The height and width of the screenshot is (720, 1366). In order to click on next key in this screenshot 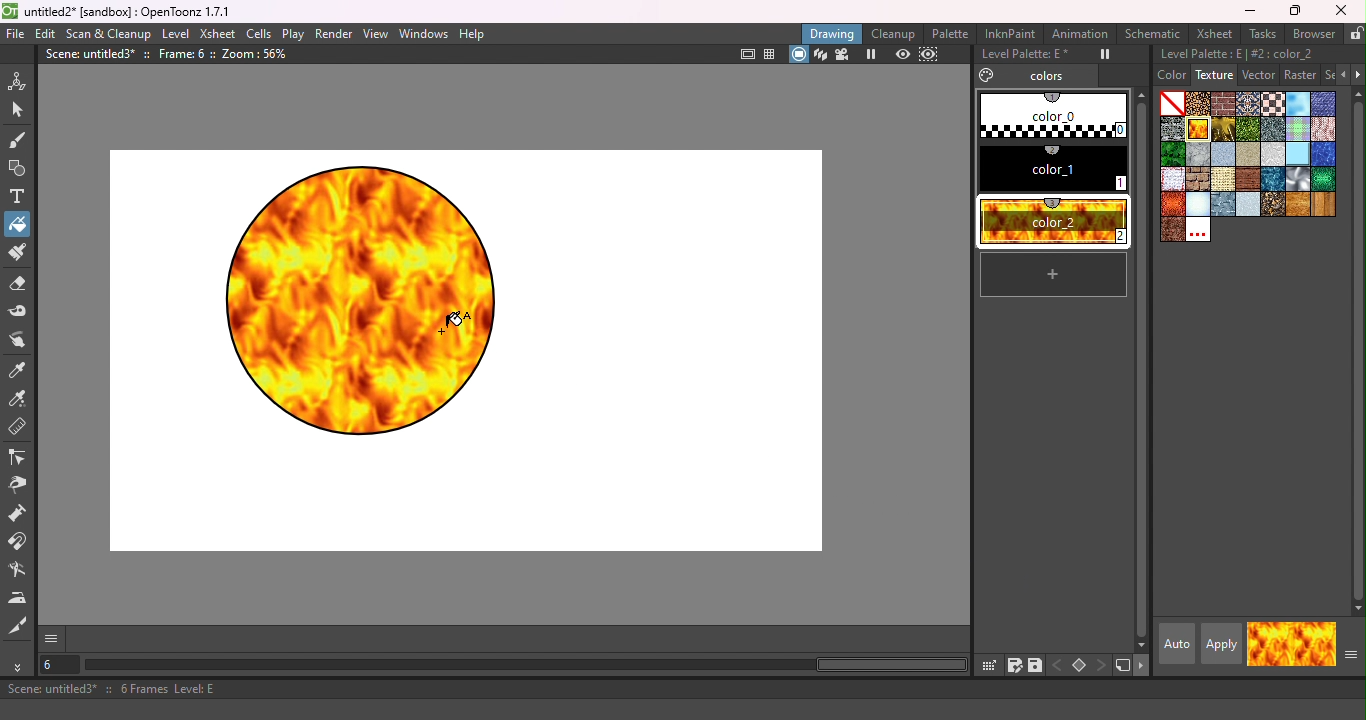, I will do `click(1102, 666)`.